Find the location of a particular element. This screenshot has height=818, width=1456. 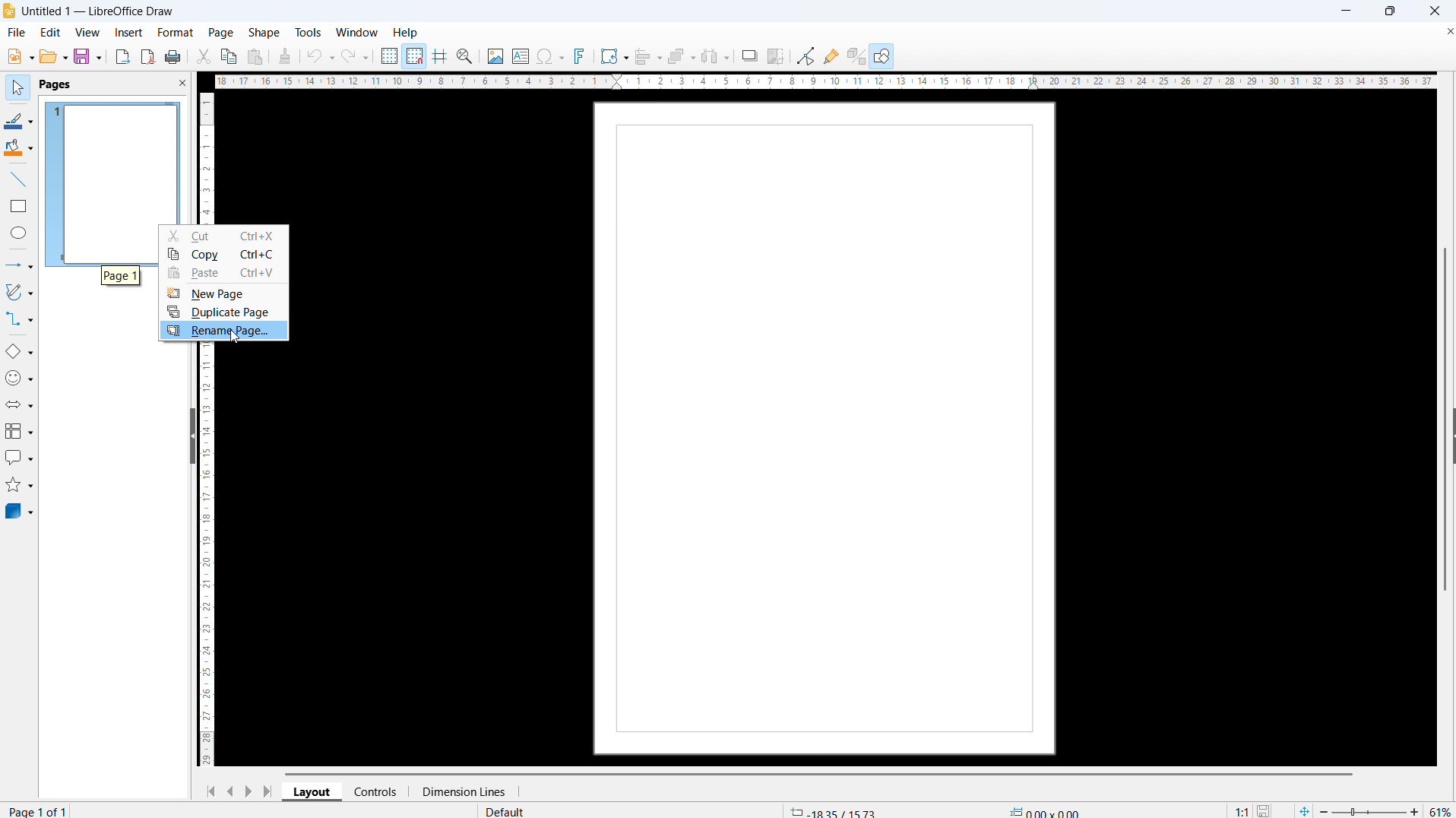

edit is located at coordinates (49, 33).